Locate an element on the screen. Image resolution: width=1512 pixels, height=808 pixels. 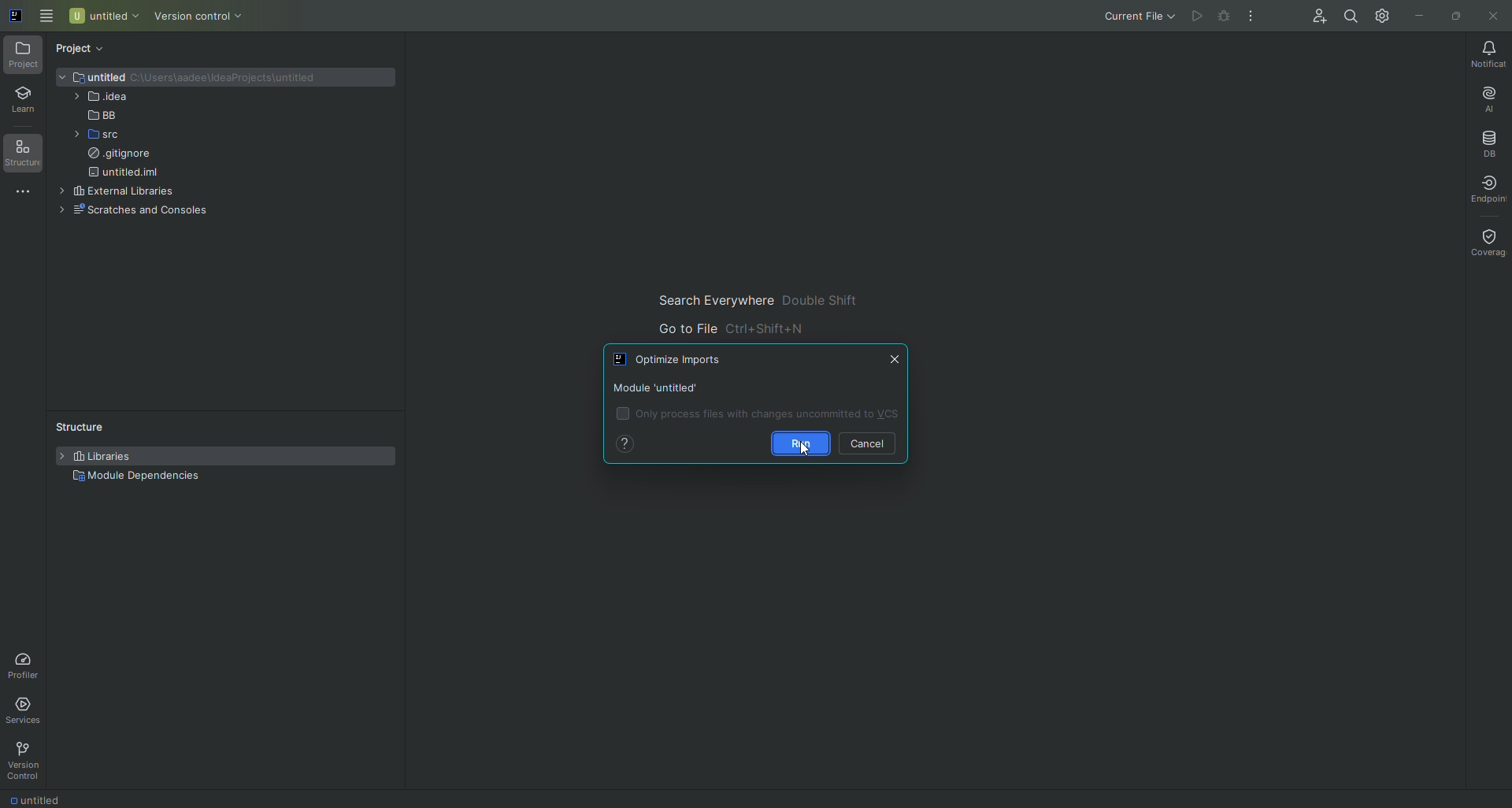
Main guide to search and navigate the files. is located at coordinates (746, 313).